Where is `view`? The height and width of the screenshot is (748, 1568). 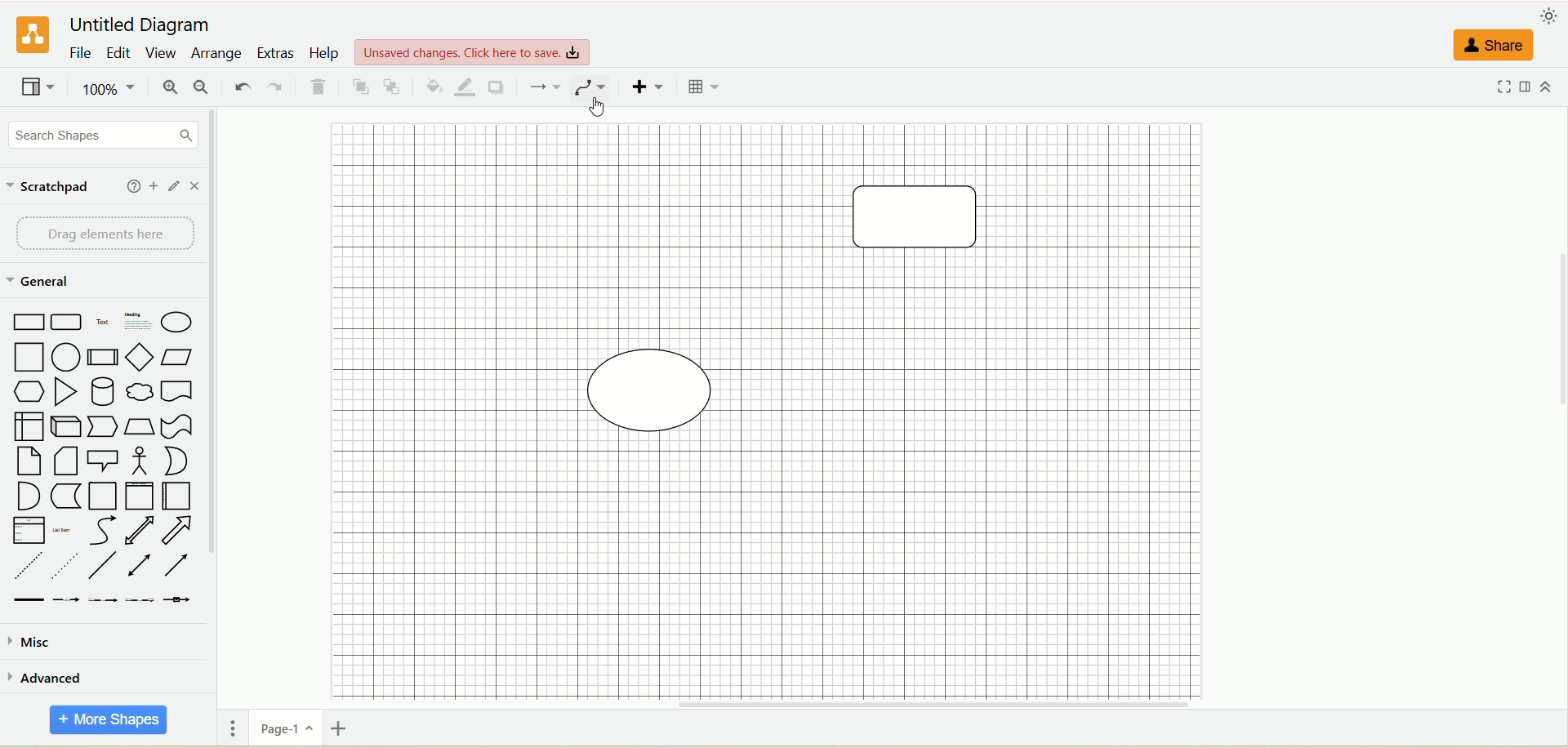 view is located at coordinates (38, 89).